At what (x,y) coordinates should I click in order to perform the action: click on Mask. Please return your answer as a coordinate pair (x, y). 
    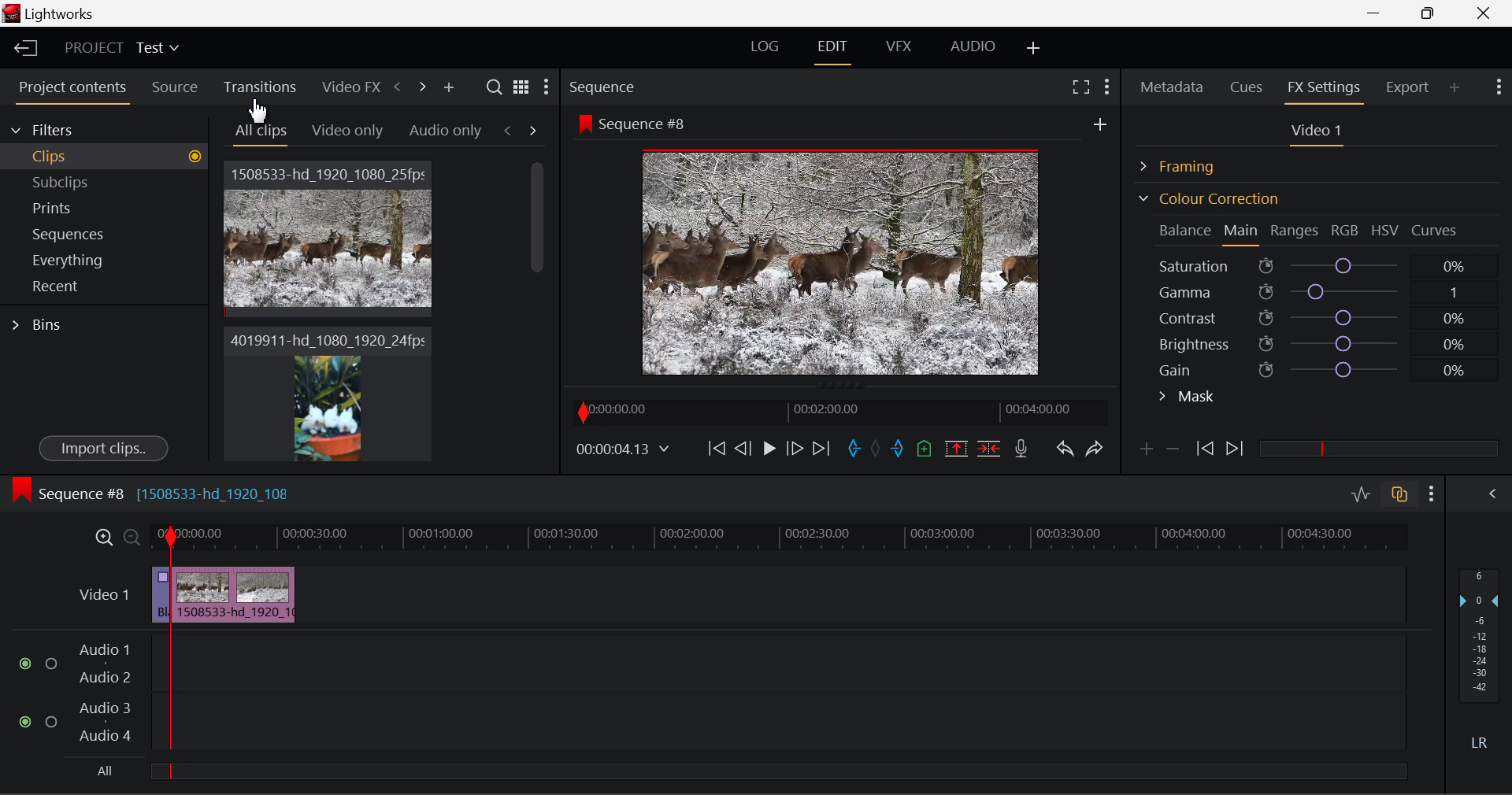
    Looking at the image, I should click on (1188, 398).